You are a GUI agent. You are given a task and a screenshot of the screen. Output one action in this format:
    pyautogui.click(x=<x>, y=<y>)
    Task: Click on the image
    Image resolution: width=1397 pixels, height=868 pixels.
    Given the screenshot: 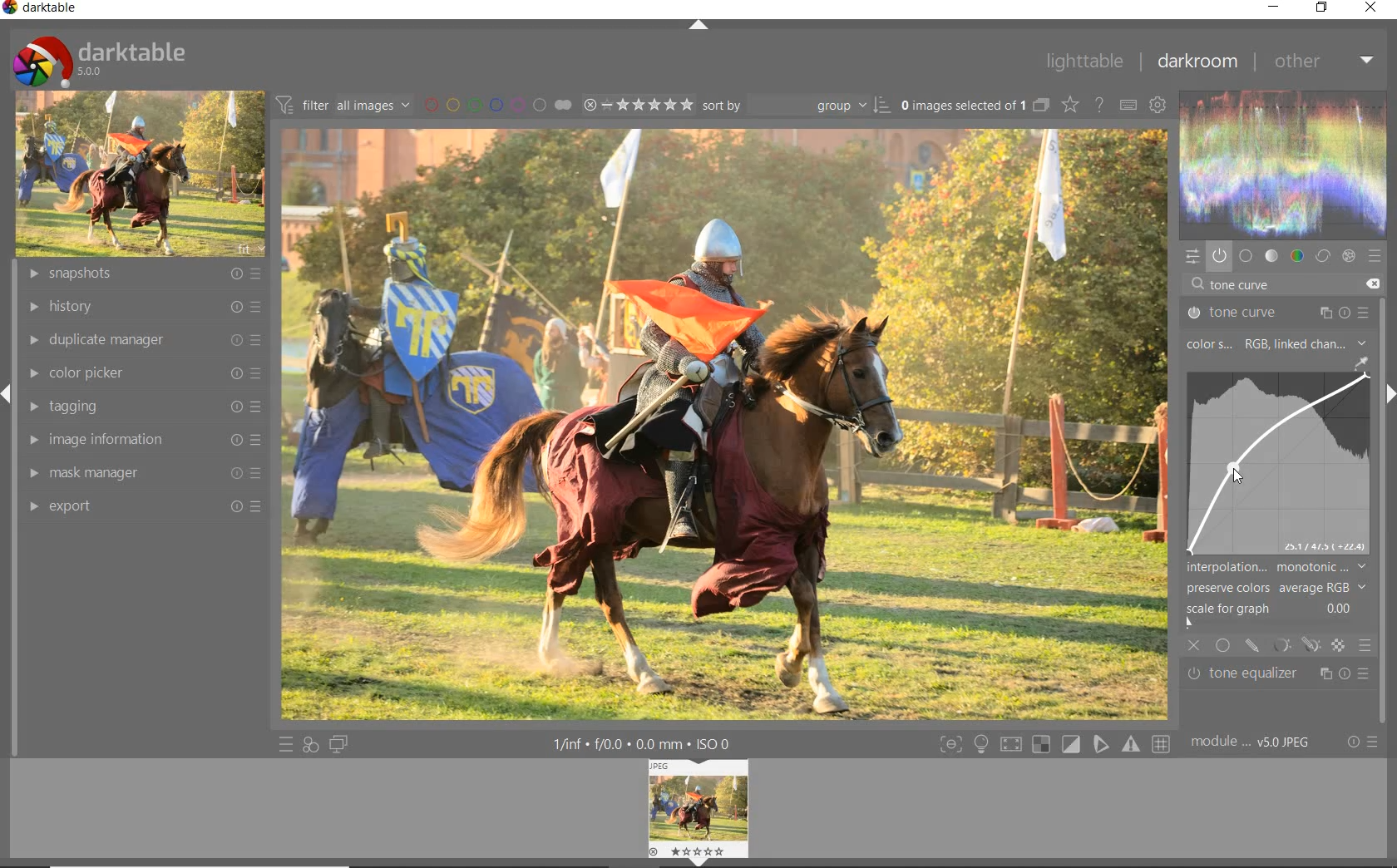 What is the action you would take?
    pyautogui.click(x=136, y=175)
    